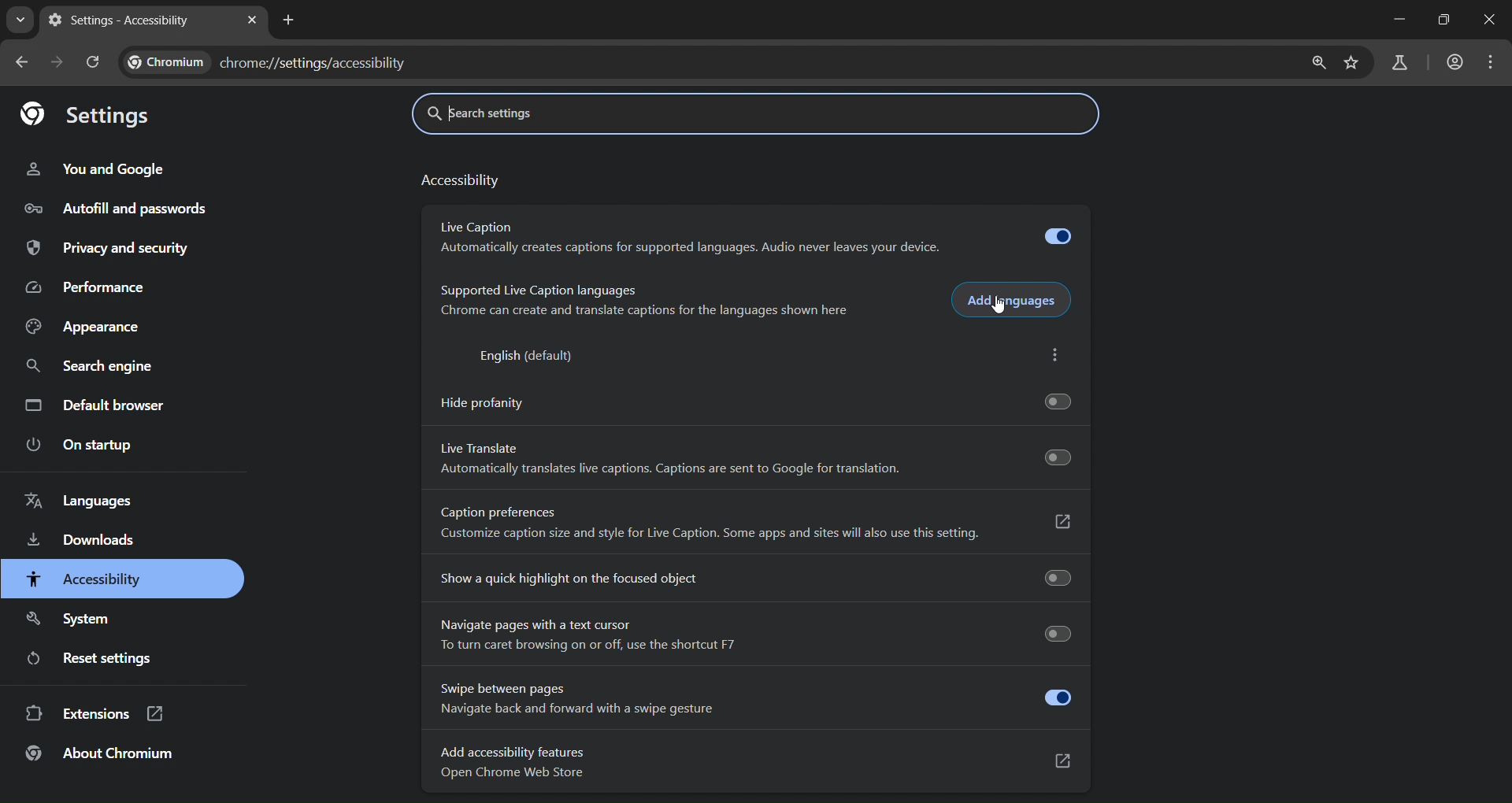 This screenshot has width=1512, height=803. Describe the element at coordinates (1060, 235) in the screenshot. I see `Button` at that location.